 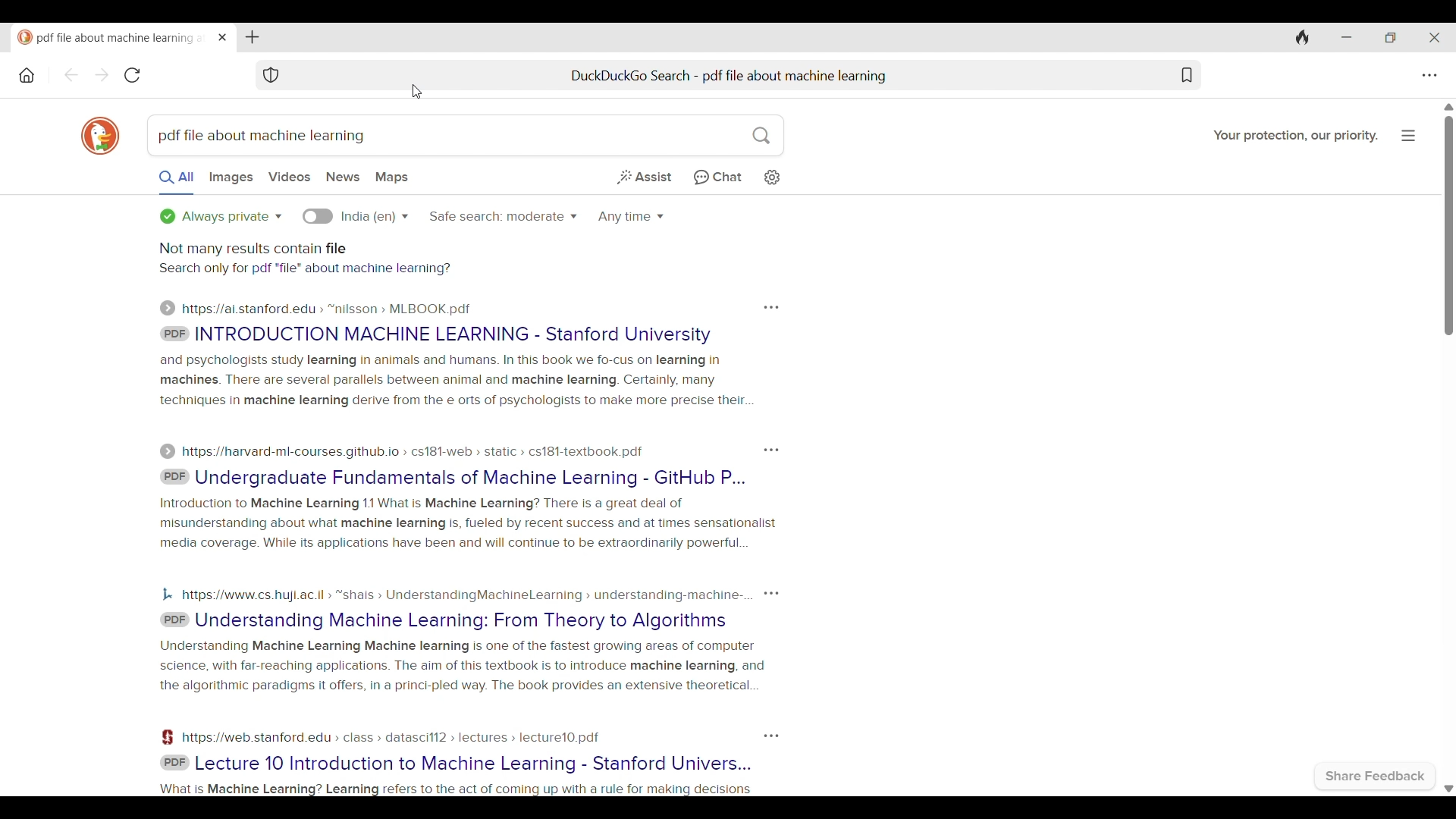 What do you see at coordinates (458, 380) in the screenshot?
I see `and psychologists study learning in animals and humans. In this book we fo-cus on learning in
machines. There are several parallels between animal and machine learning. Certainly, many
techniques in machine learning derive from the e orts of psychologists to make more precise their.` at bounding box center [458, 380].